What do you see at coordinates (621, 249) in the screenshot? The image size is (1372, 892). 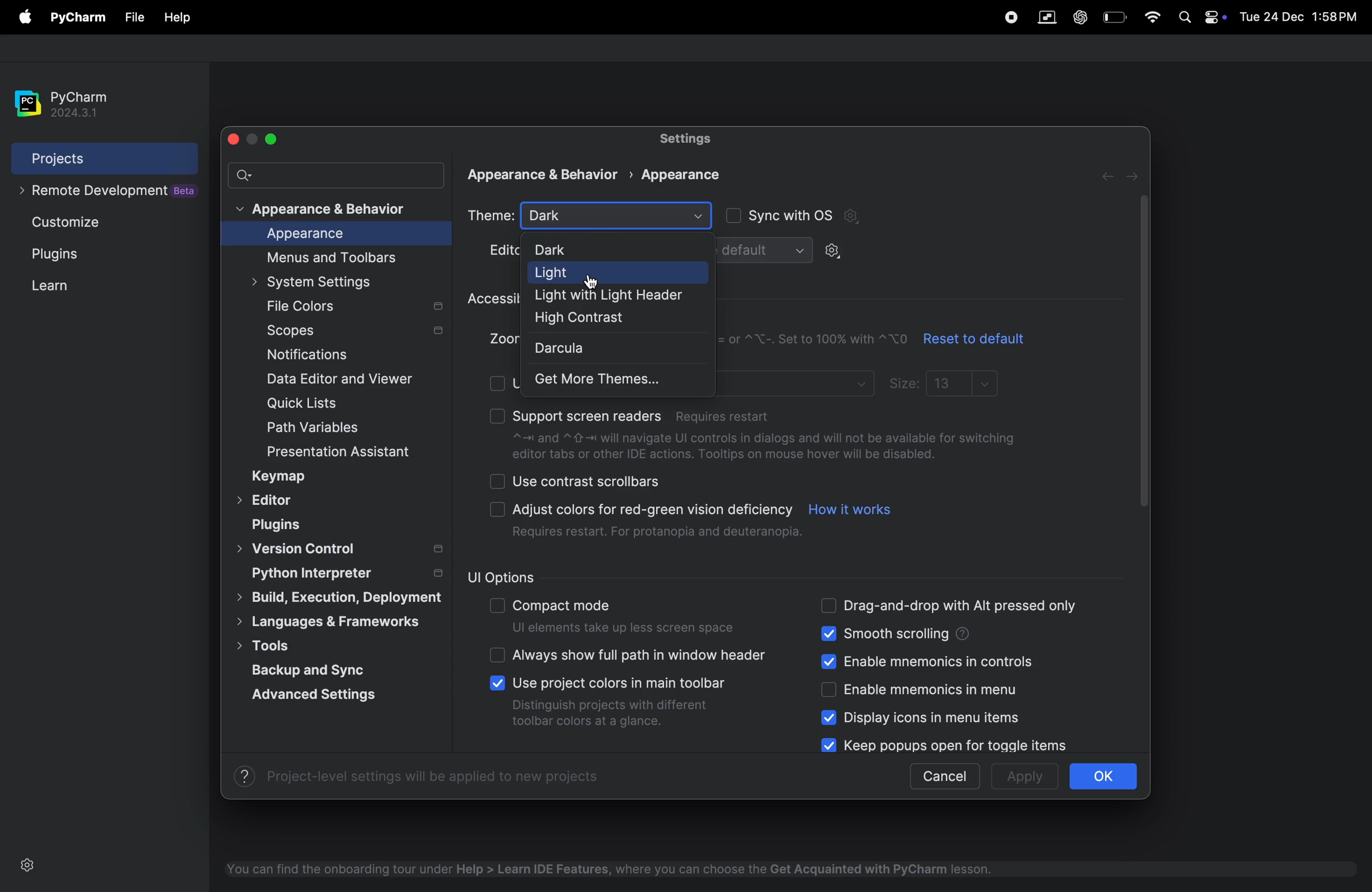 I see `dark` at bounding box center [621, 249].